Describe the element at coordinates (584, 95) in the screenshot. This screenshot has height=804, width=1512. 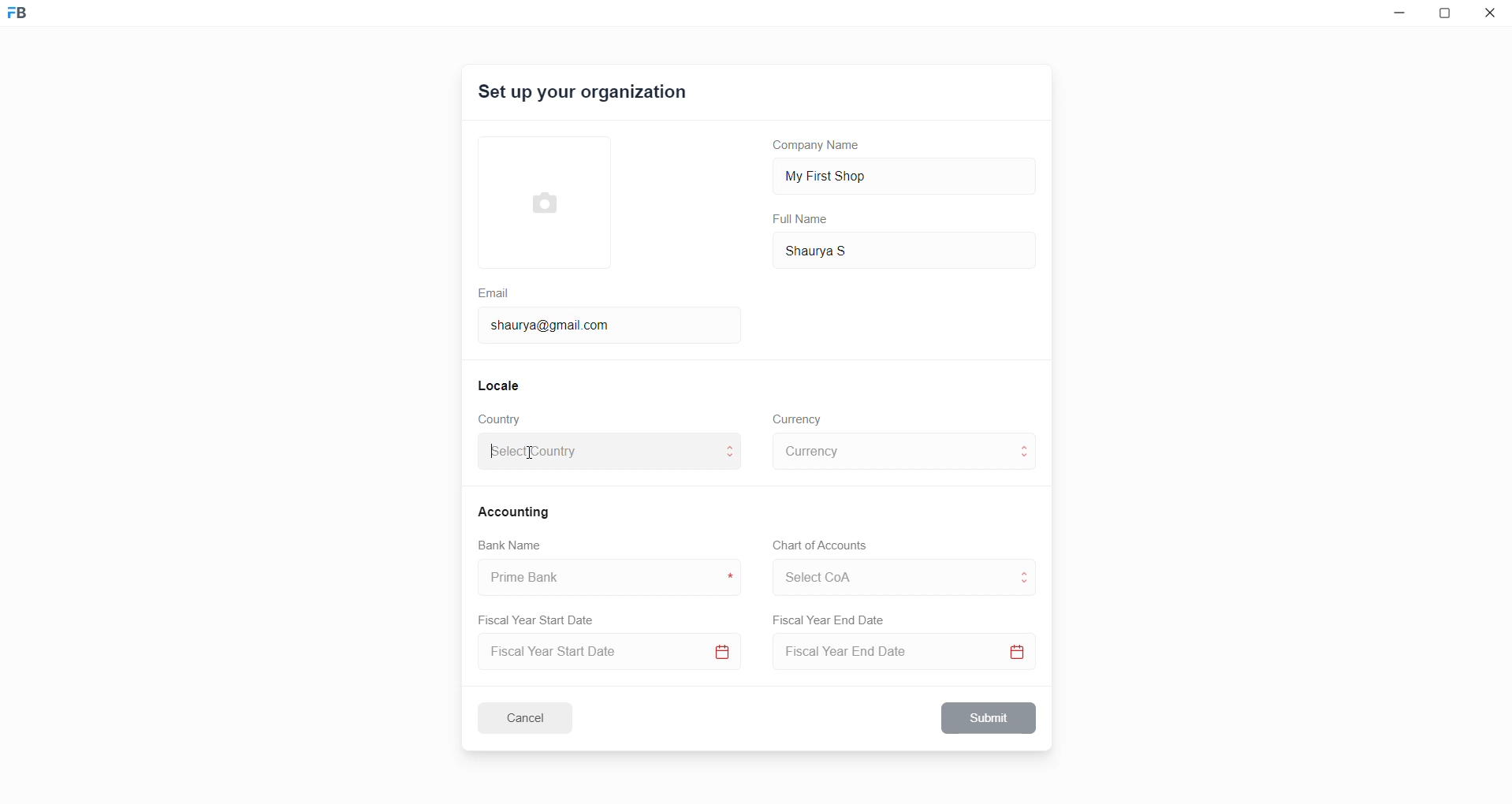
I see `Set up your organization` at that location.